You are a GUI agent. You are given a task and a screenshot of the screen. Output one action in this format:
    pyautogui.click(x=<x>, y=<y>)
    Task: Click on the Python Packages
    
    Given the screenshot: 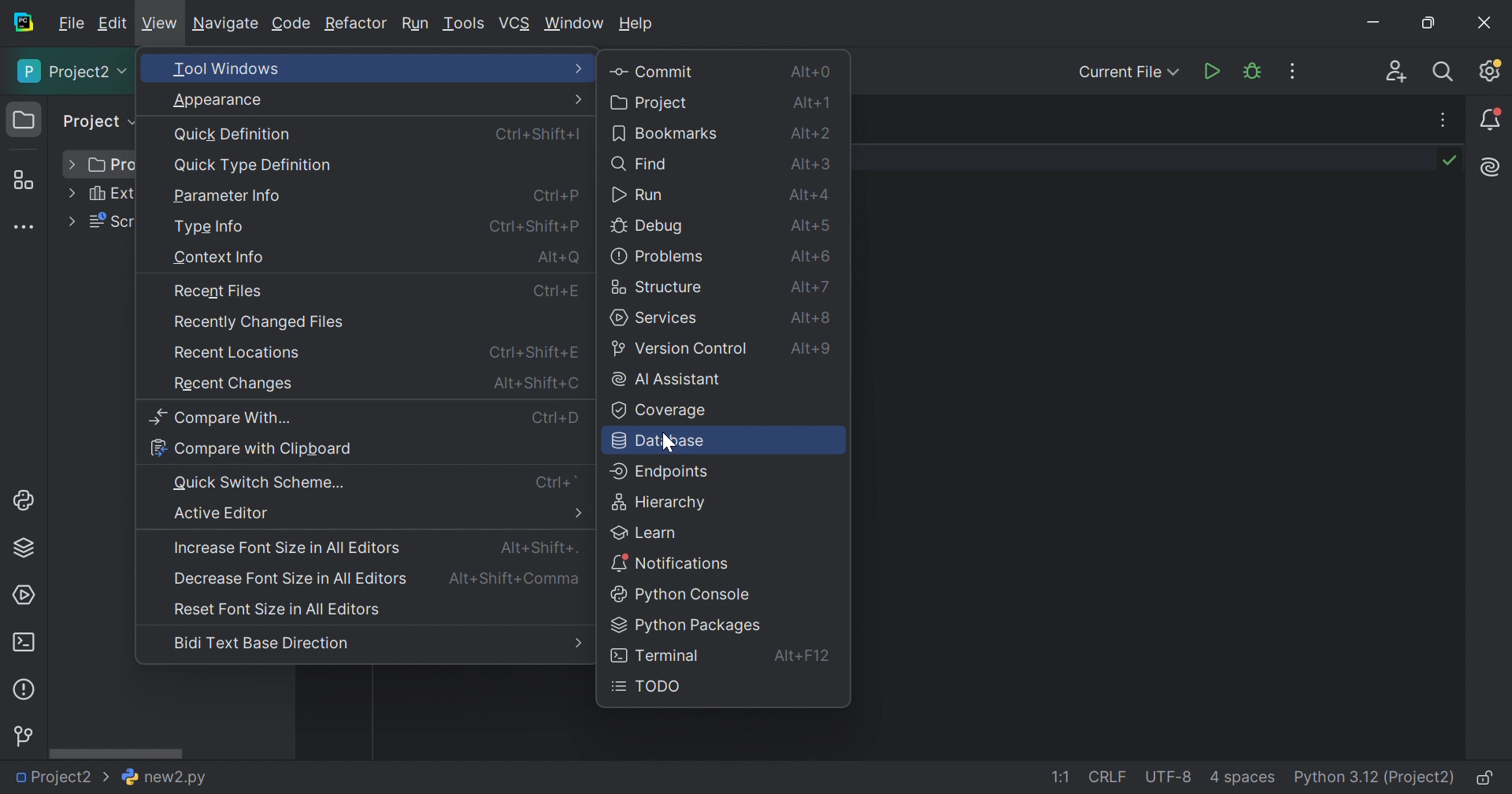 What is the action you would take?
    pyautogui.click(x=24, y=550)
    